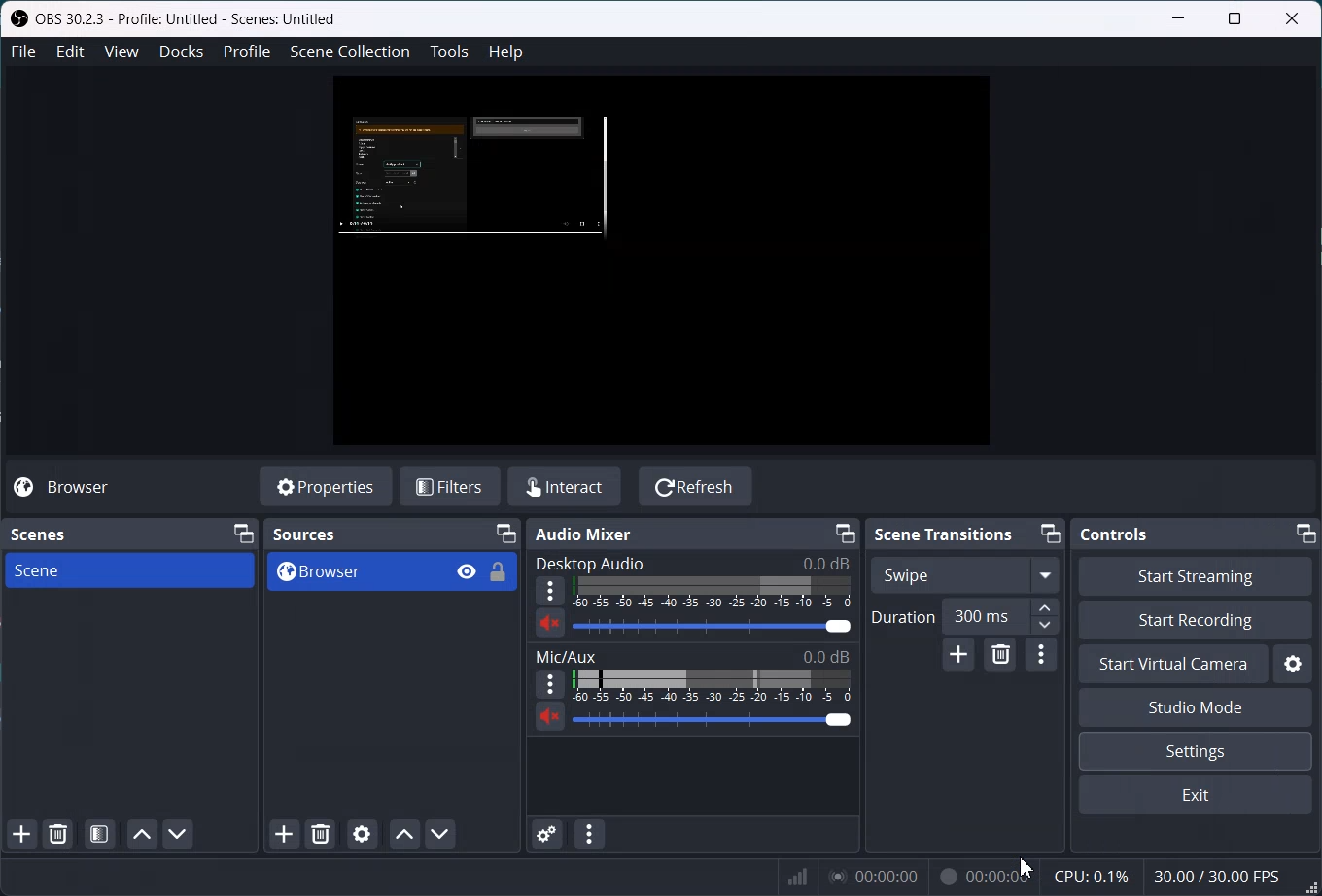 This screenshot has width=1322, height=896. Describe the element at coordinates (142, 833) in the screenshot. I see `Move scene up` at that location.